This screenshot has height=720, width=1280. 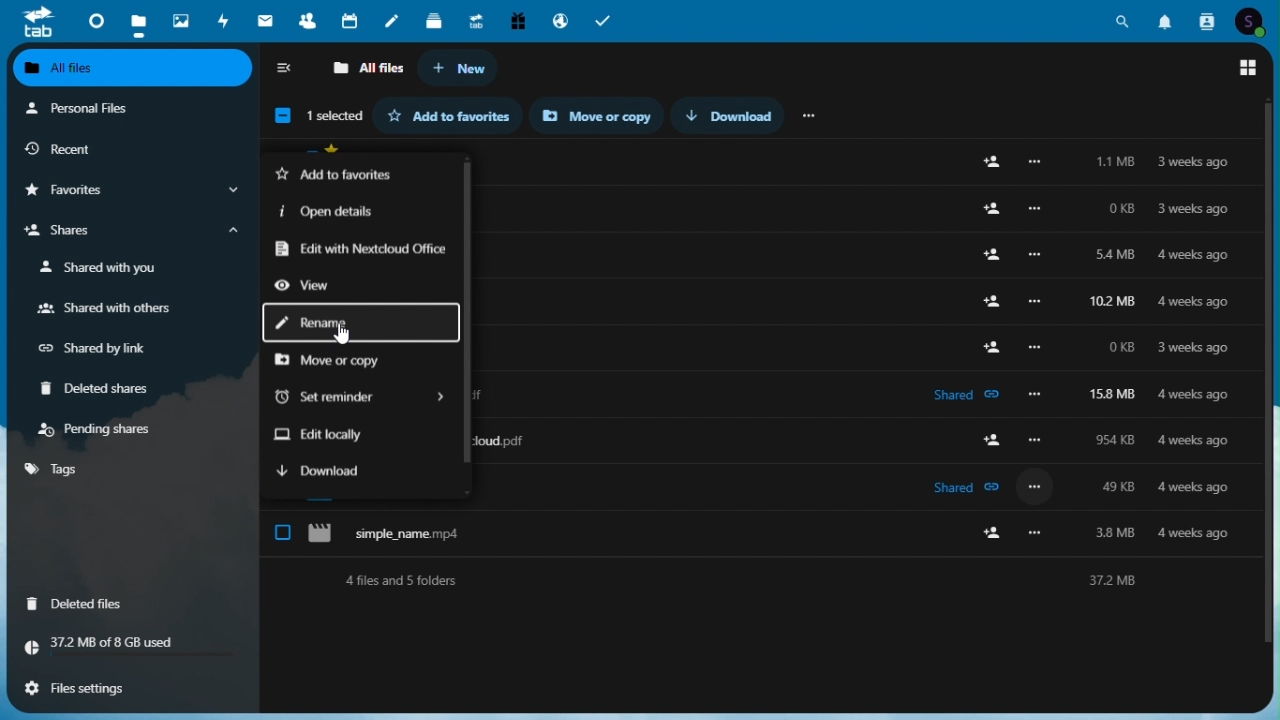 What do you see at coordinates (339, 336) in the screenshot?
I see `cursor` at bounding box center [339, 336].